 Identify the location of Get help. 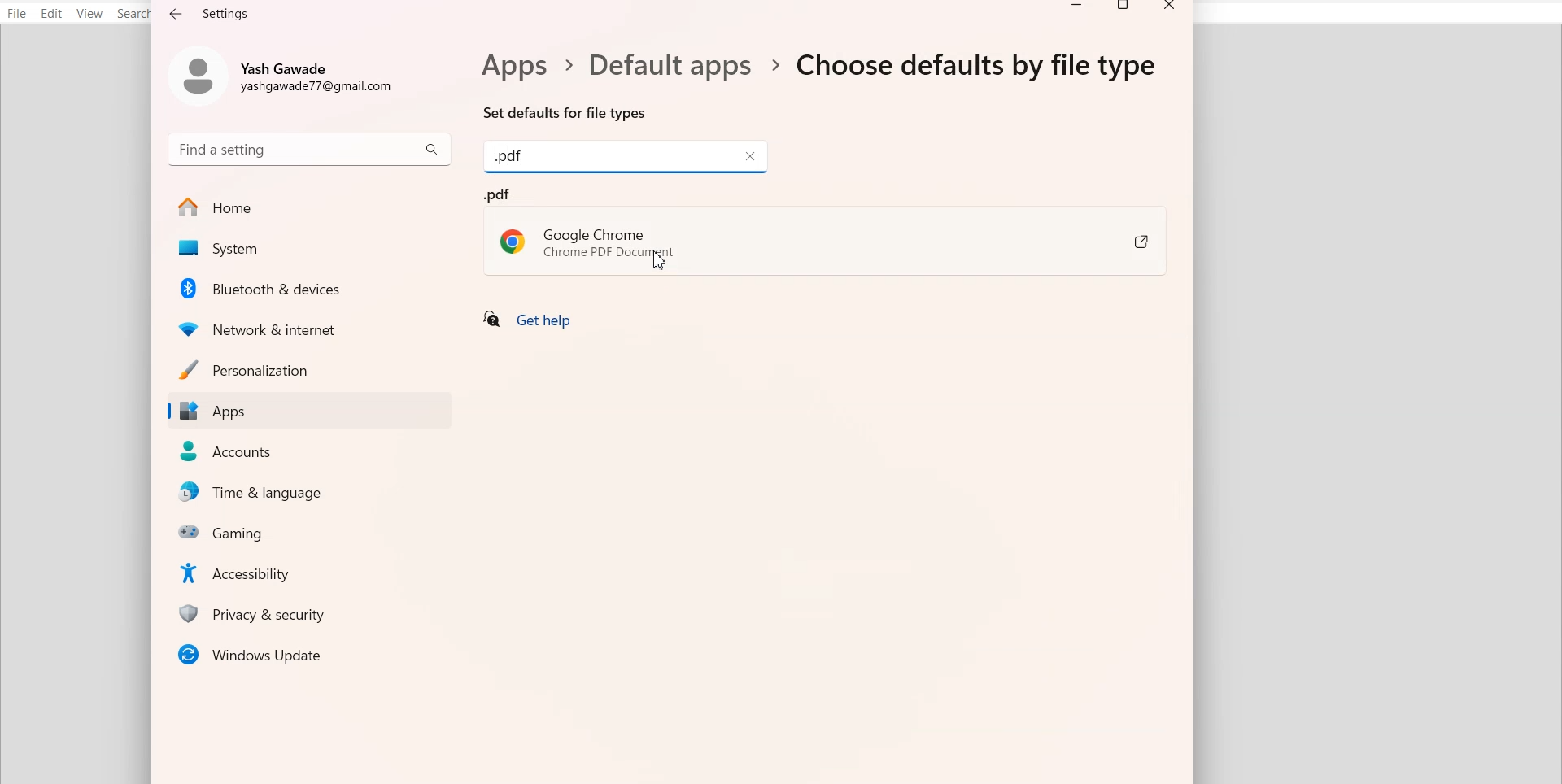
(530, 320).